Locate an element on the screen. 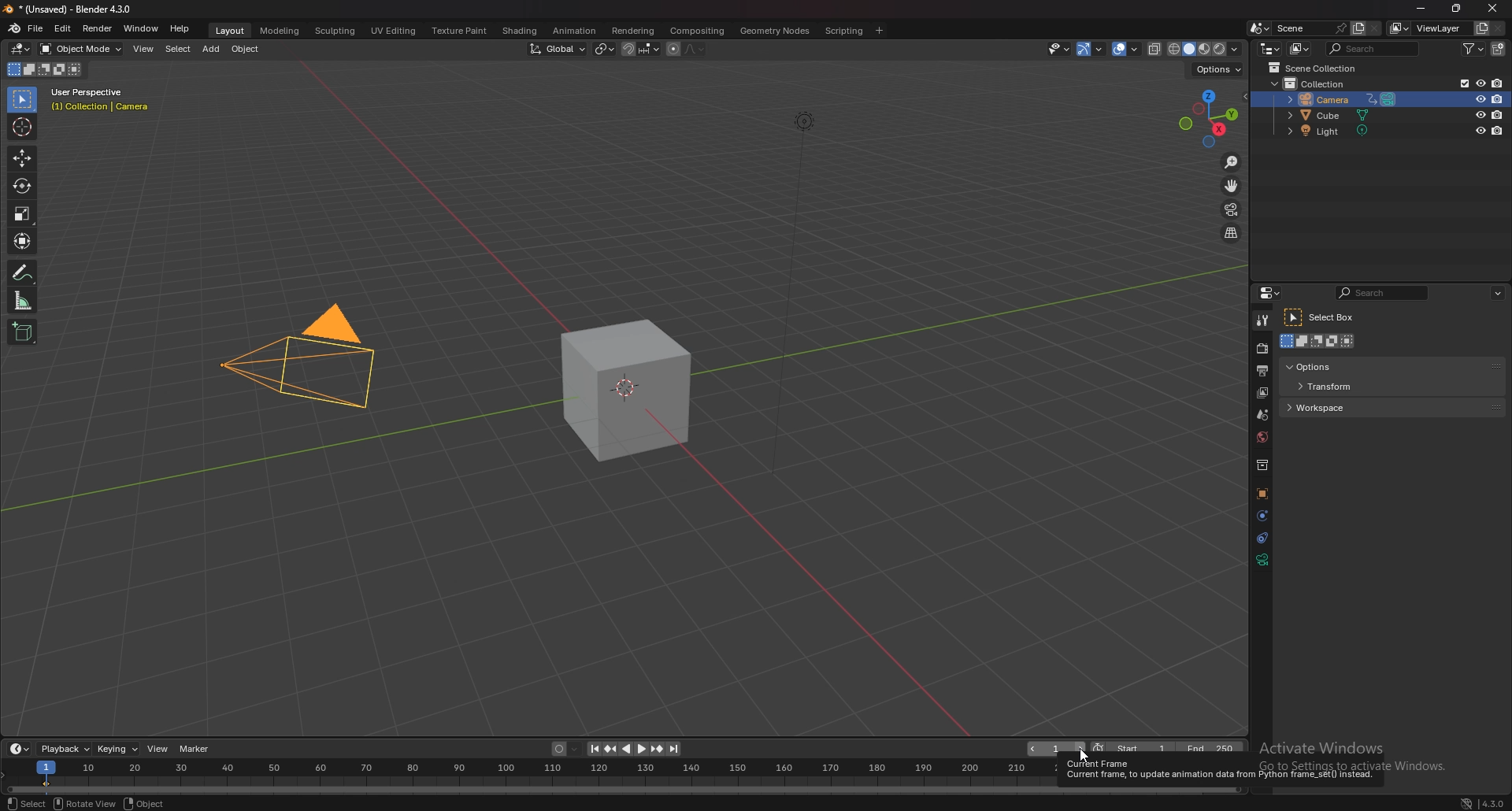 The width and height of the screenshot is (1512, 811). transform is located at coordinates (1332, 387).